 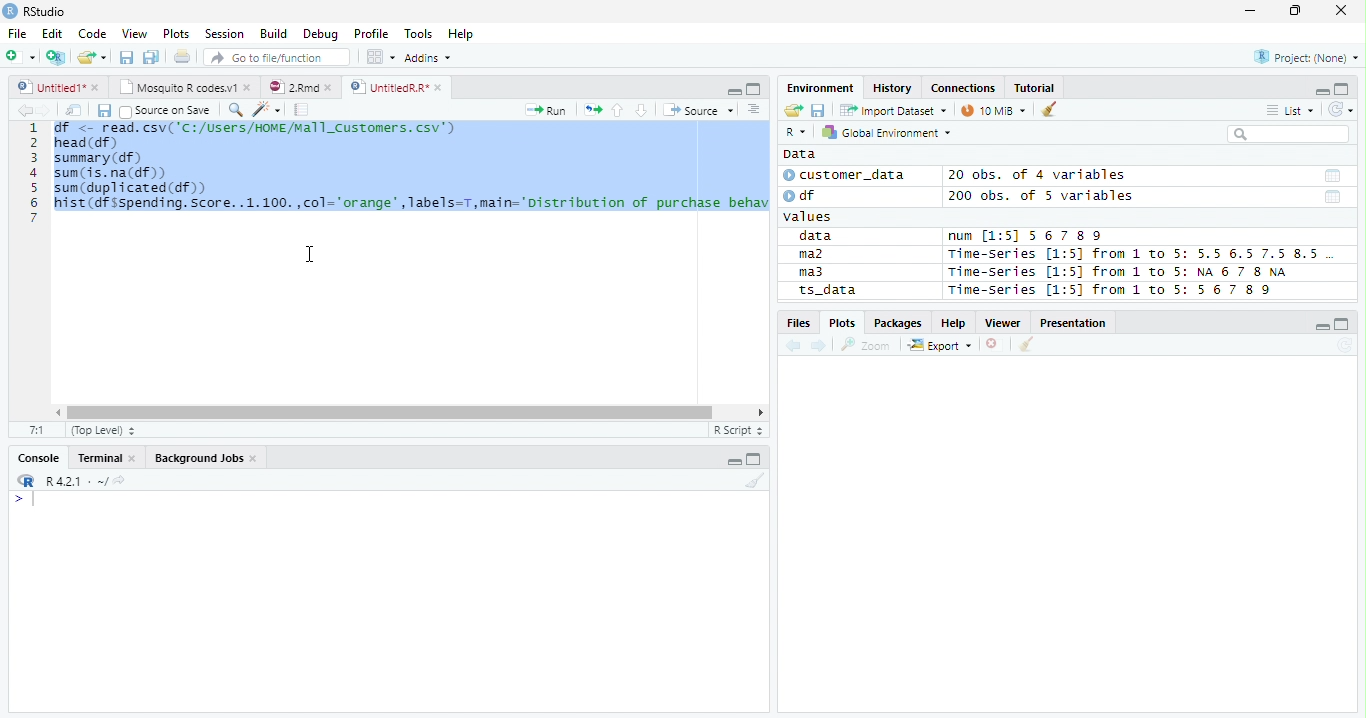 I want to click on Refresh, so click(x=1345, y=346).